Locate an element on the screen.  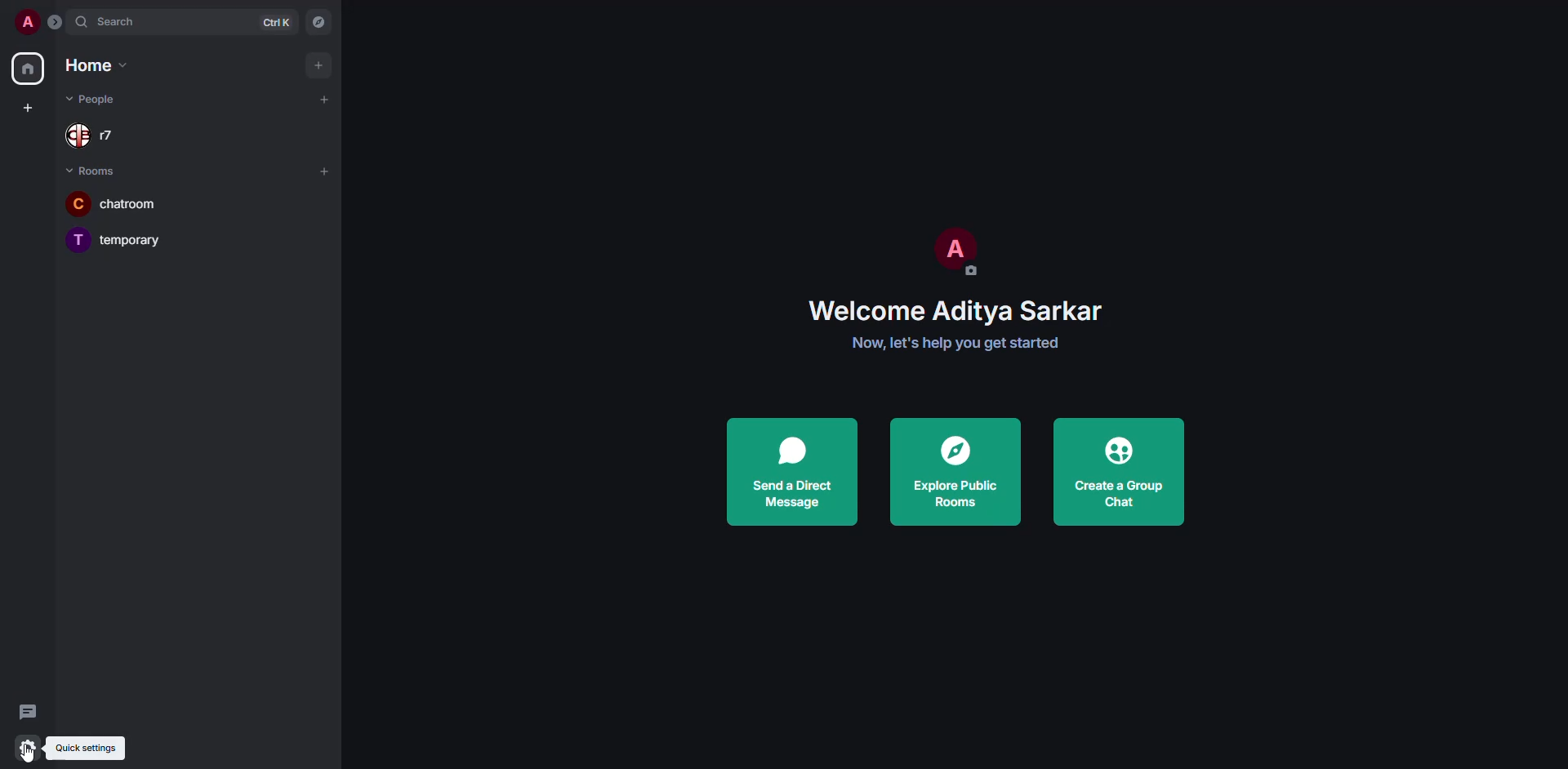
rooms is located at coordinates (99, 171).